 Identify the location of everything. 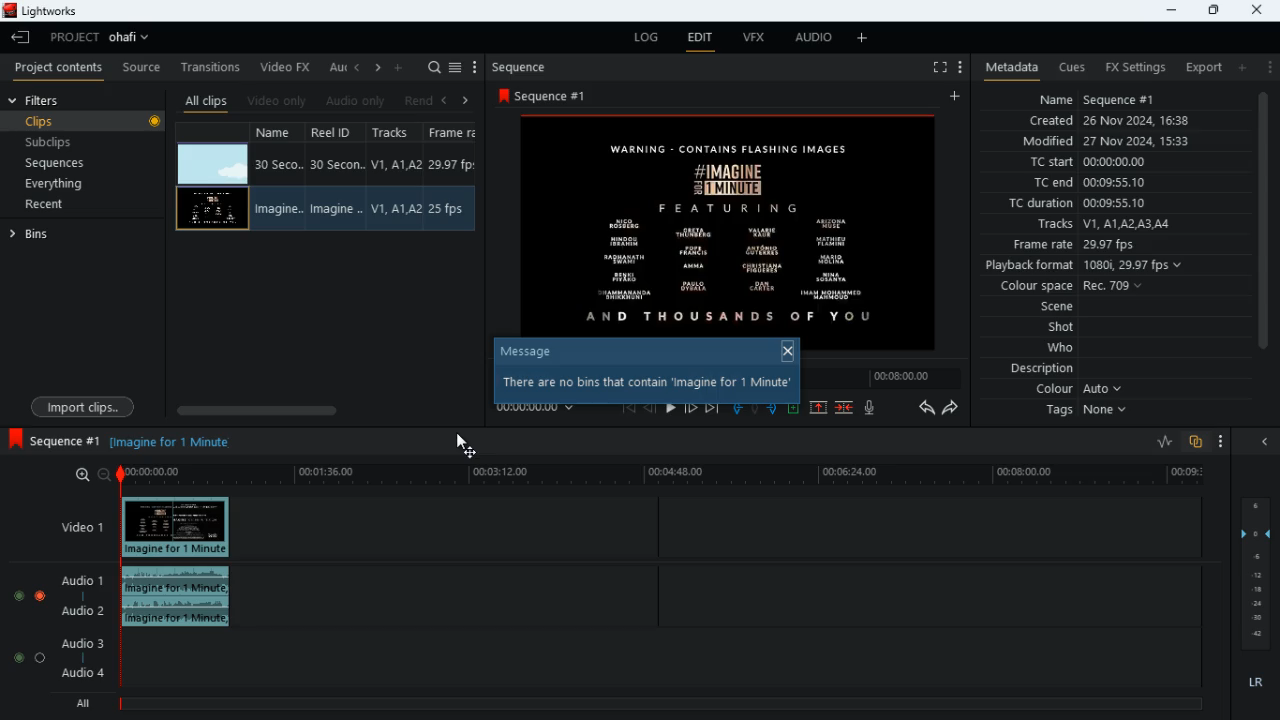
(76, 183).